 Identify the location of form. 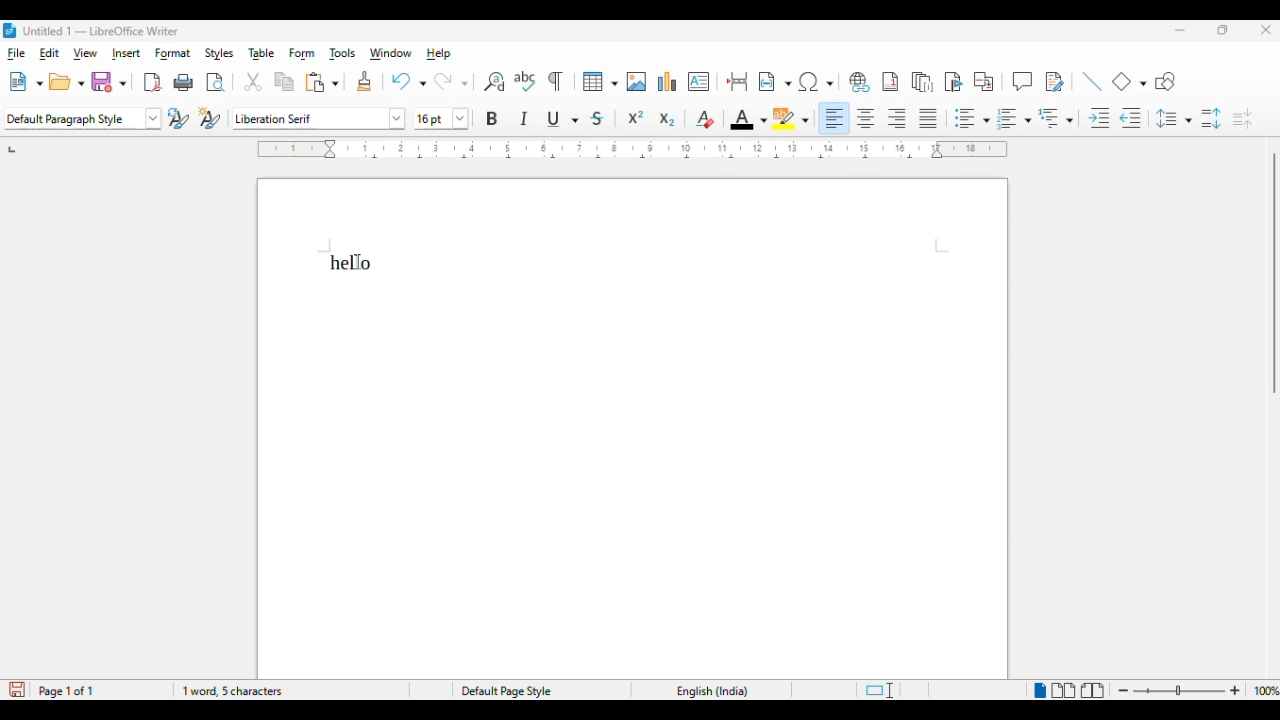
(302, 54).